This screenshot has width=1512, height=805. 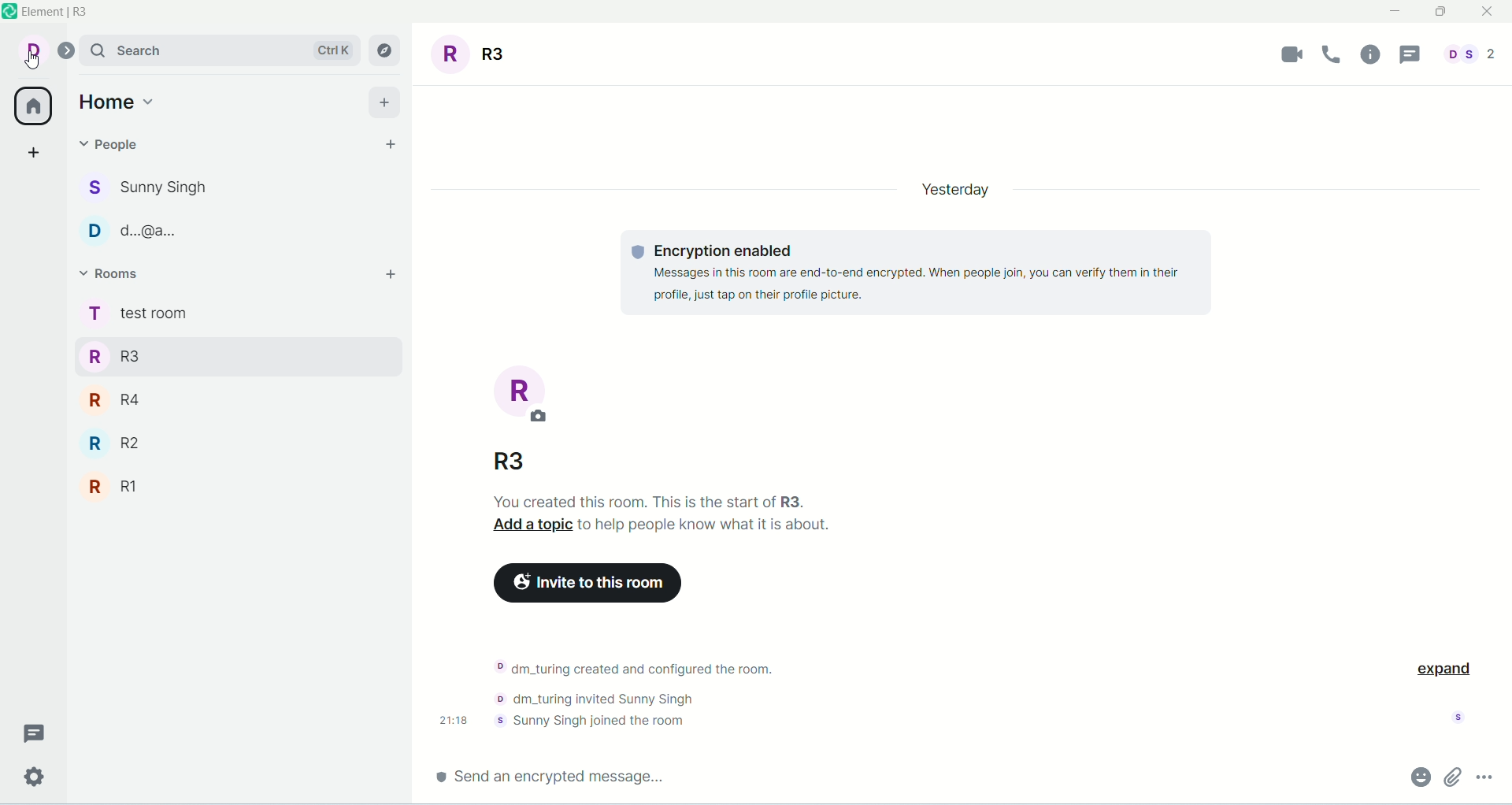 What do you see at coordinates (390, 145) in the screenshot?
I see `start chat` at bounding box center [390, 145].